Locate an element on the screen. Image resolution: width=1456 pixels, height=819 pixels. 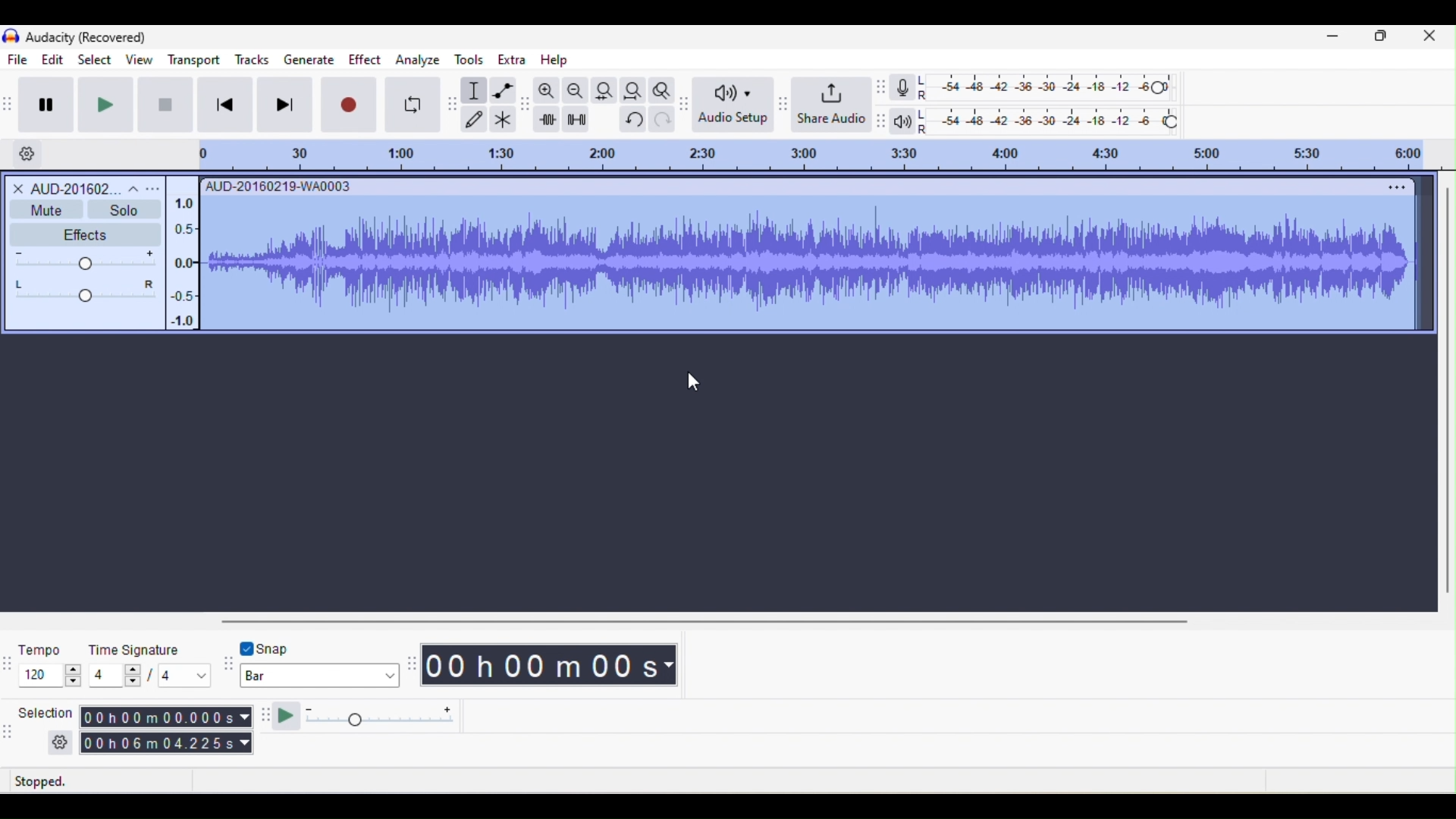
AUD-20160219-WA0003 is located at coordinates (277, 186).